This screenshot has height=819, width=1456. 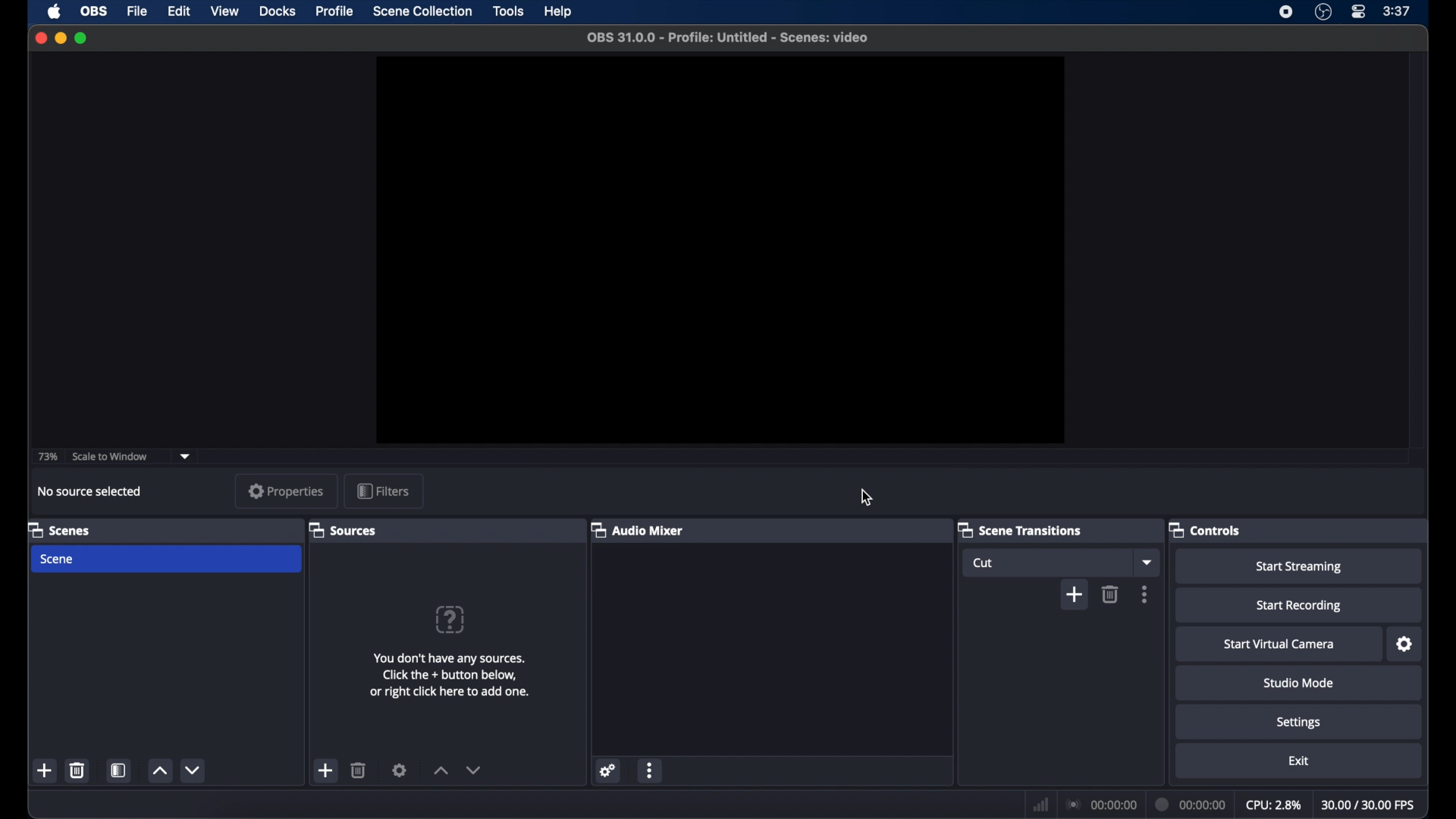 What do you see at coordinates (337, 11) in the screenshot?
I see `profile` at bounding box center [337, 11].